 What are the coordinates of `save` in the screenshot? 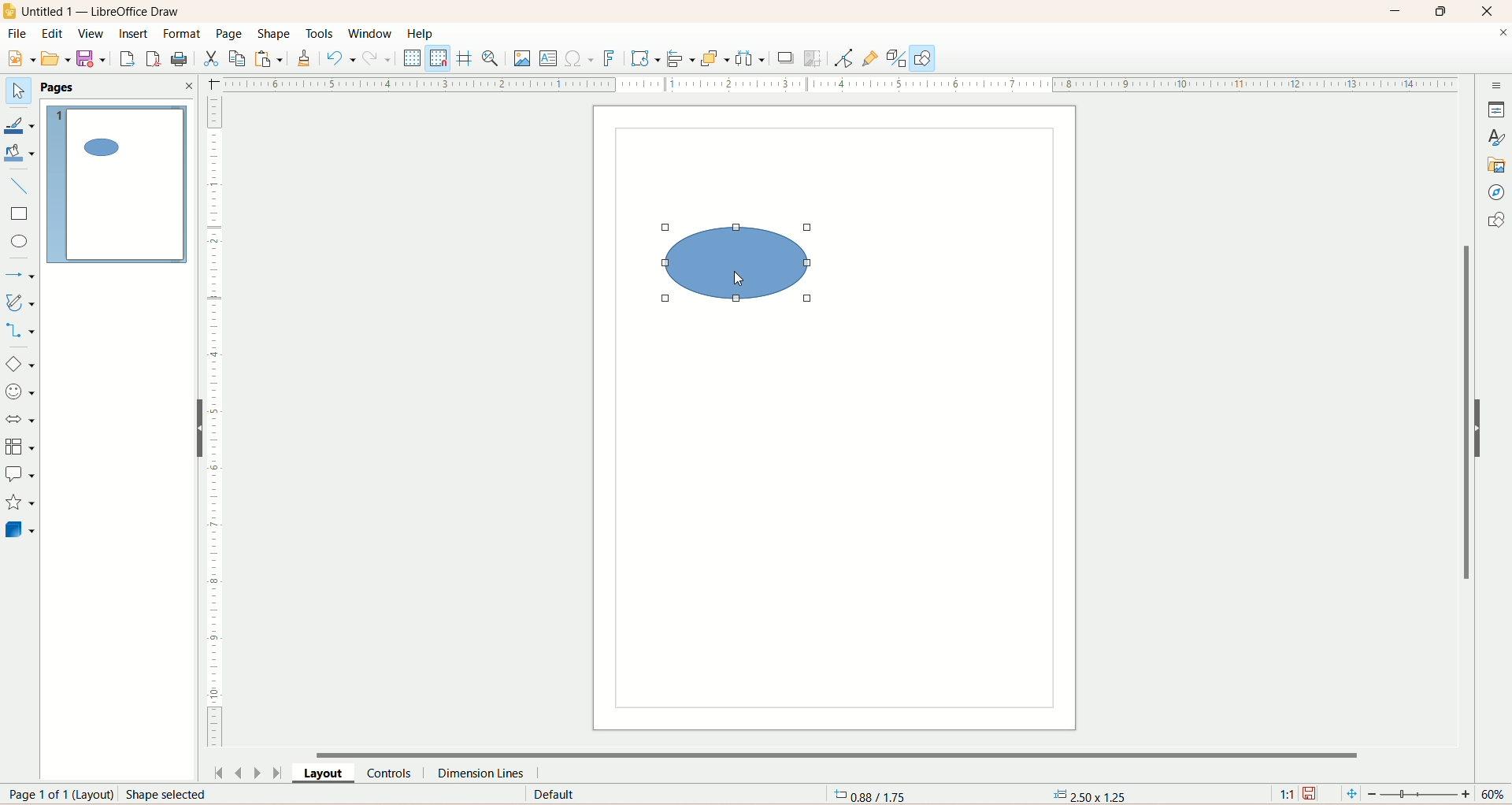 It's located at (91, 60).